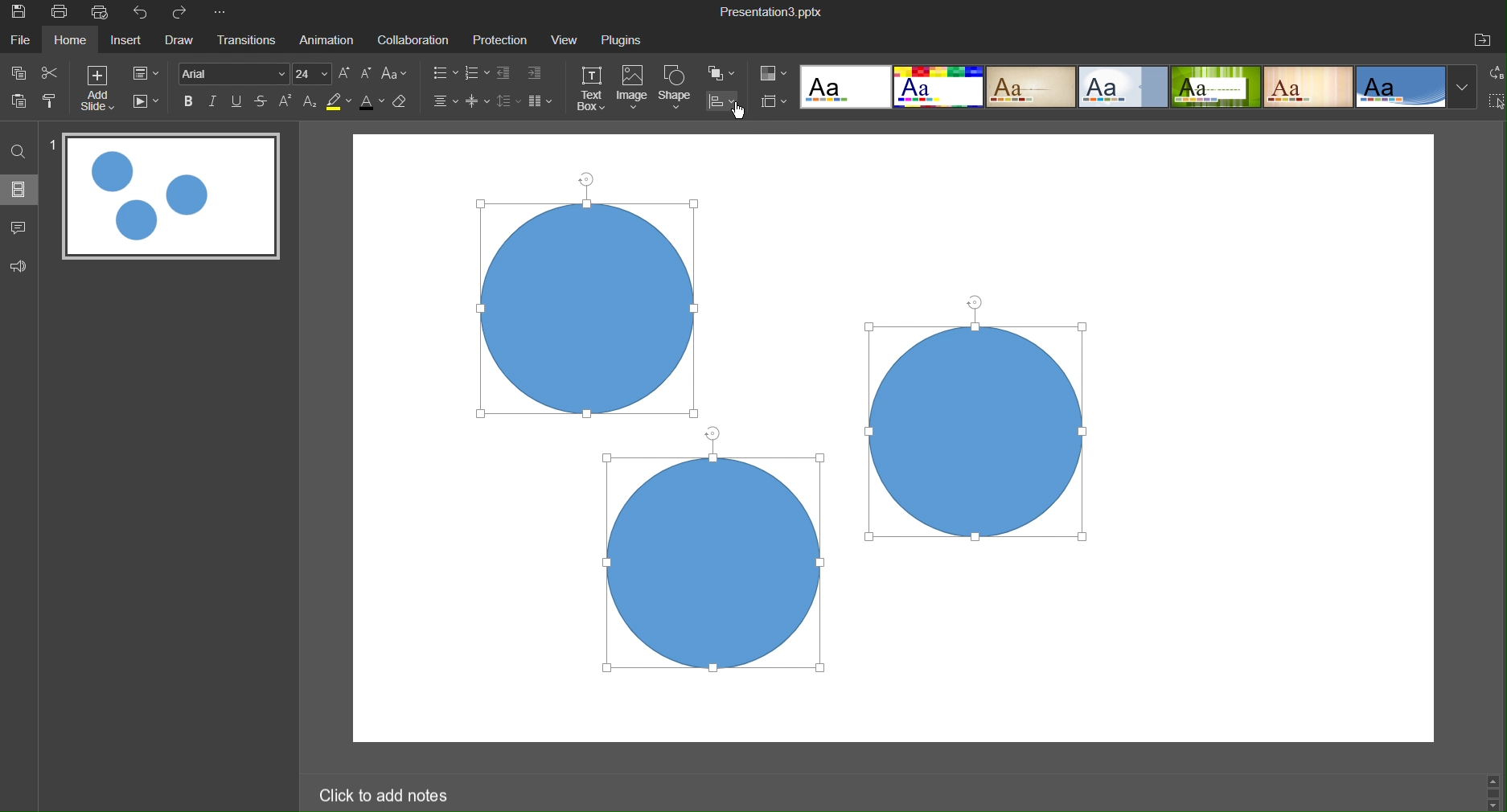  I want to click on Font, so click(234, 73).